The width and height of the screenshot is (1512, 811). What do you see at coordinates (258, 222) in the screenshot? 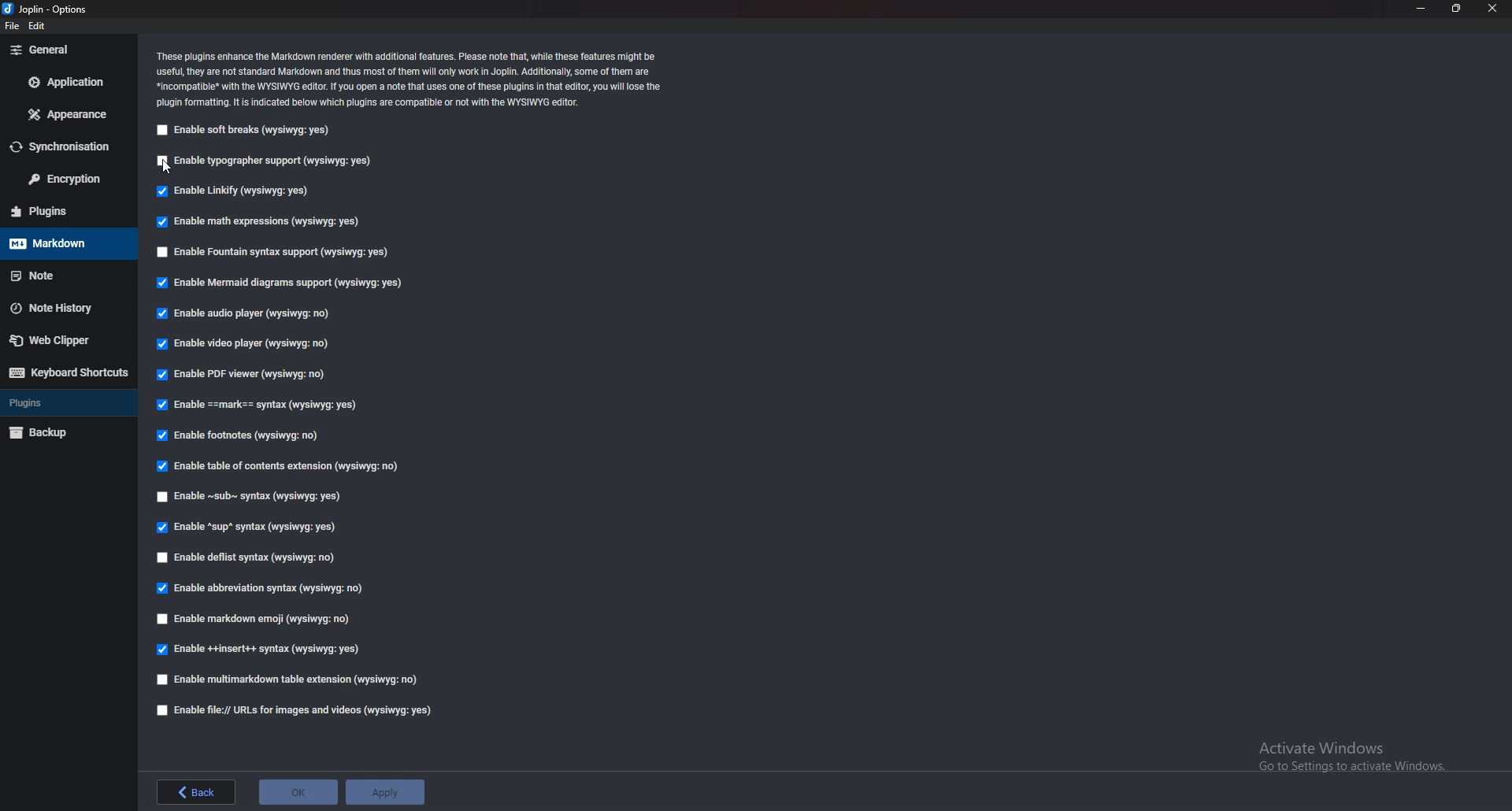
I see `` at bounding box center [258, 222].